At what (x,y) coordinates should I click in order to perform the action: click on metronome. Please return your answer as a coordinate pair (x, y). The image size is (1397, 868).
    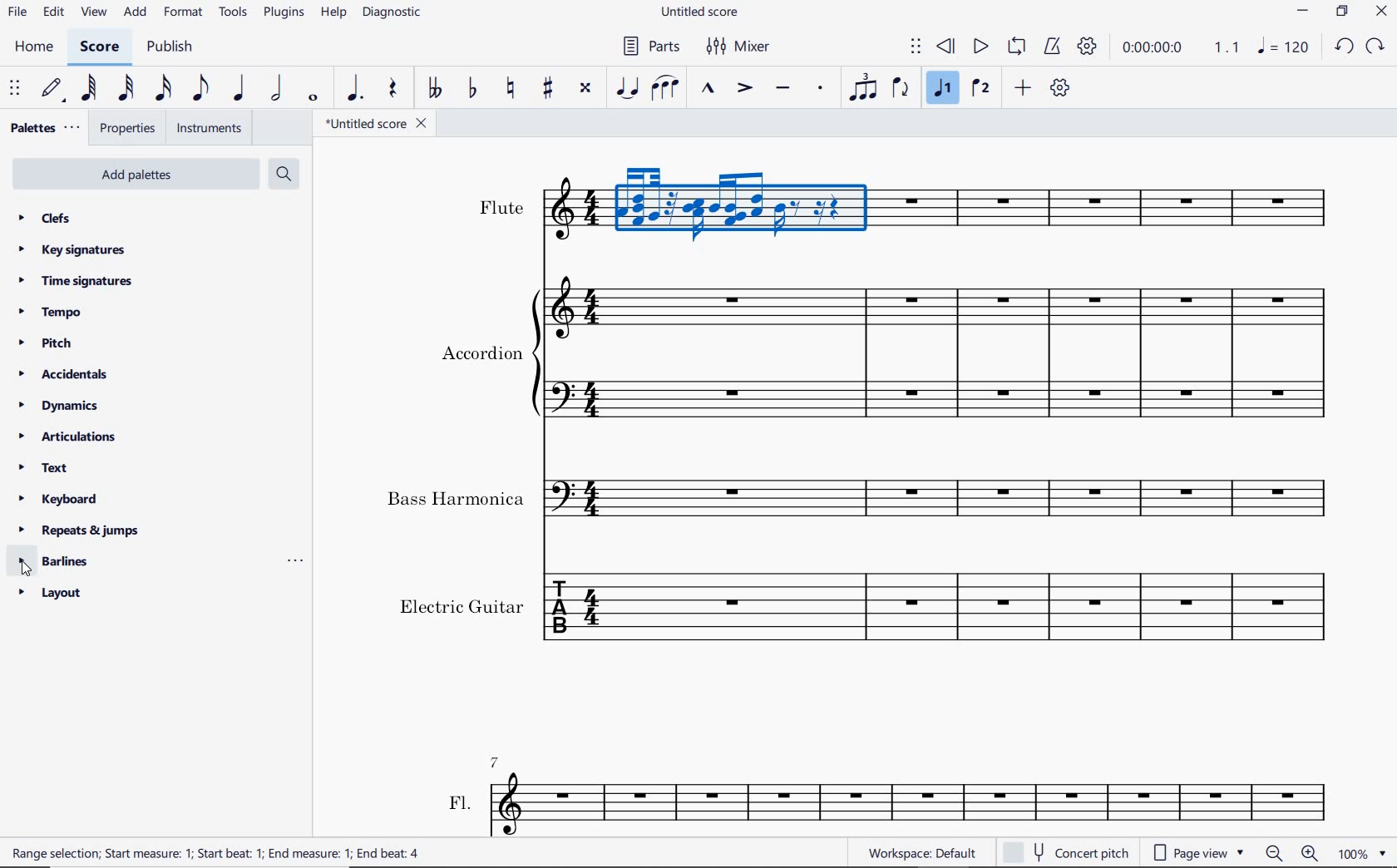
    Looking at the image, I should click on (1055, 47).